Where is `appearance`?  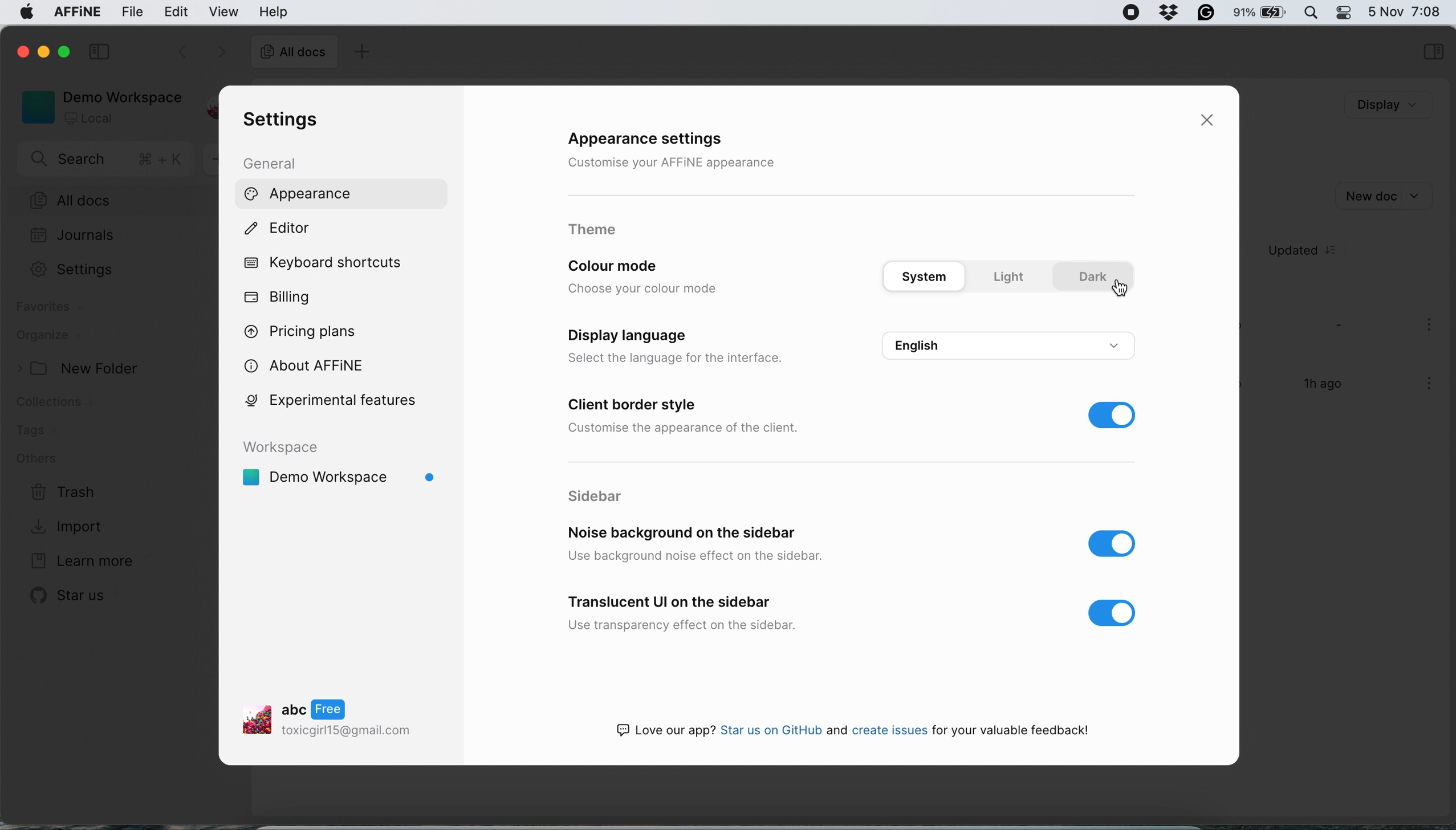
appearance is located at coordinates (300, 193).